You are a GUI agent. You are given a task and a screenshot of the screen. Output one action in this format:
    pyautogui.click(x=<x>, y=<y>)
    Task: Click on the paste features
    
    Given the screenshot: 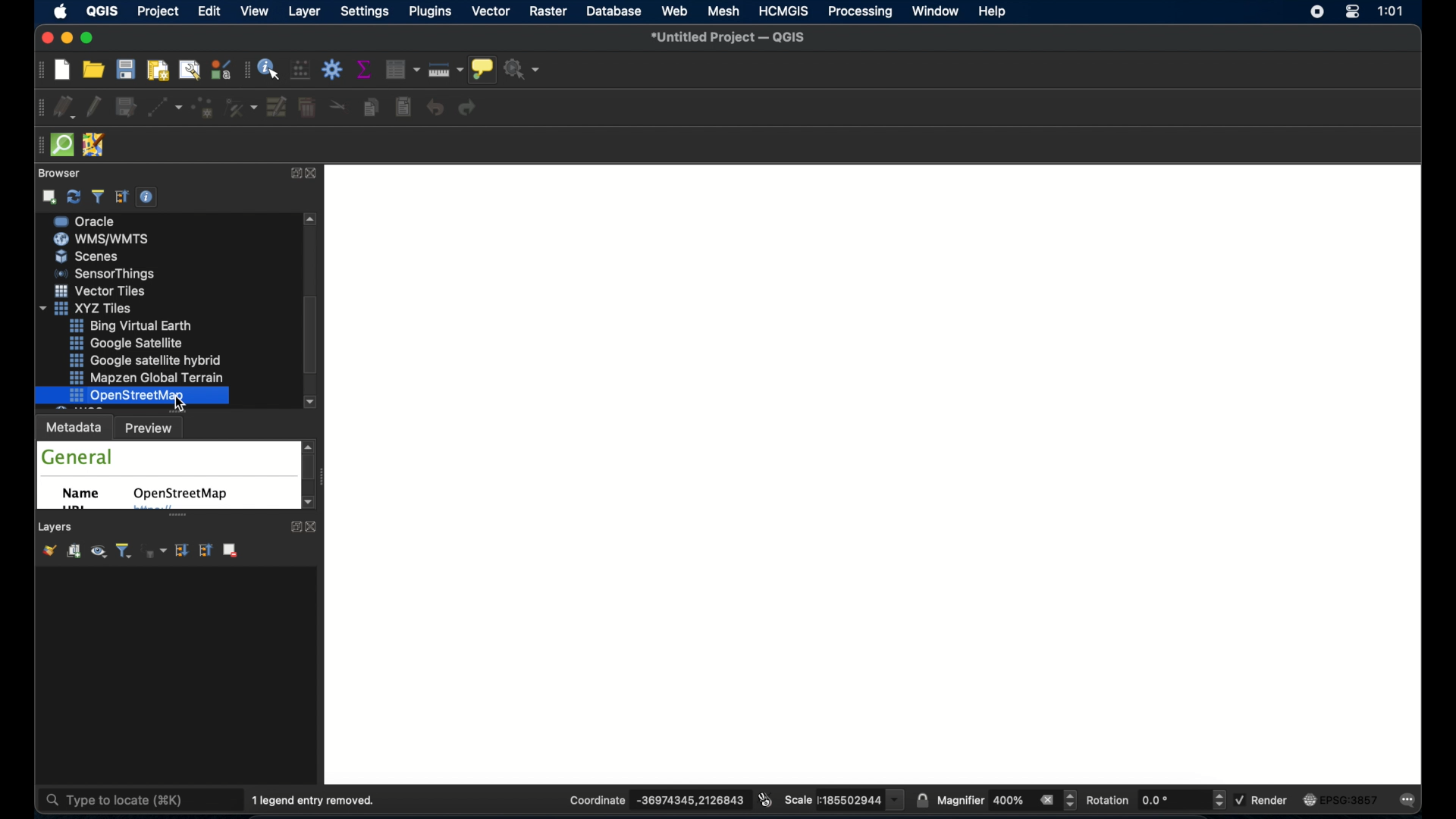 What is the action you would take?
    pyautogui.click(x=403, y=108)
    